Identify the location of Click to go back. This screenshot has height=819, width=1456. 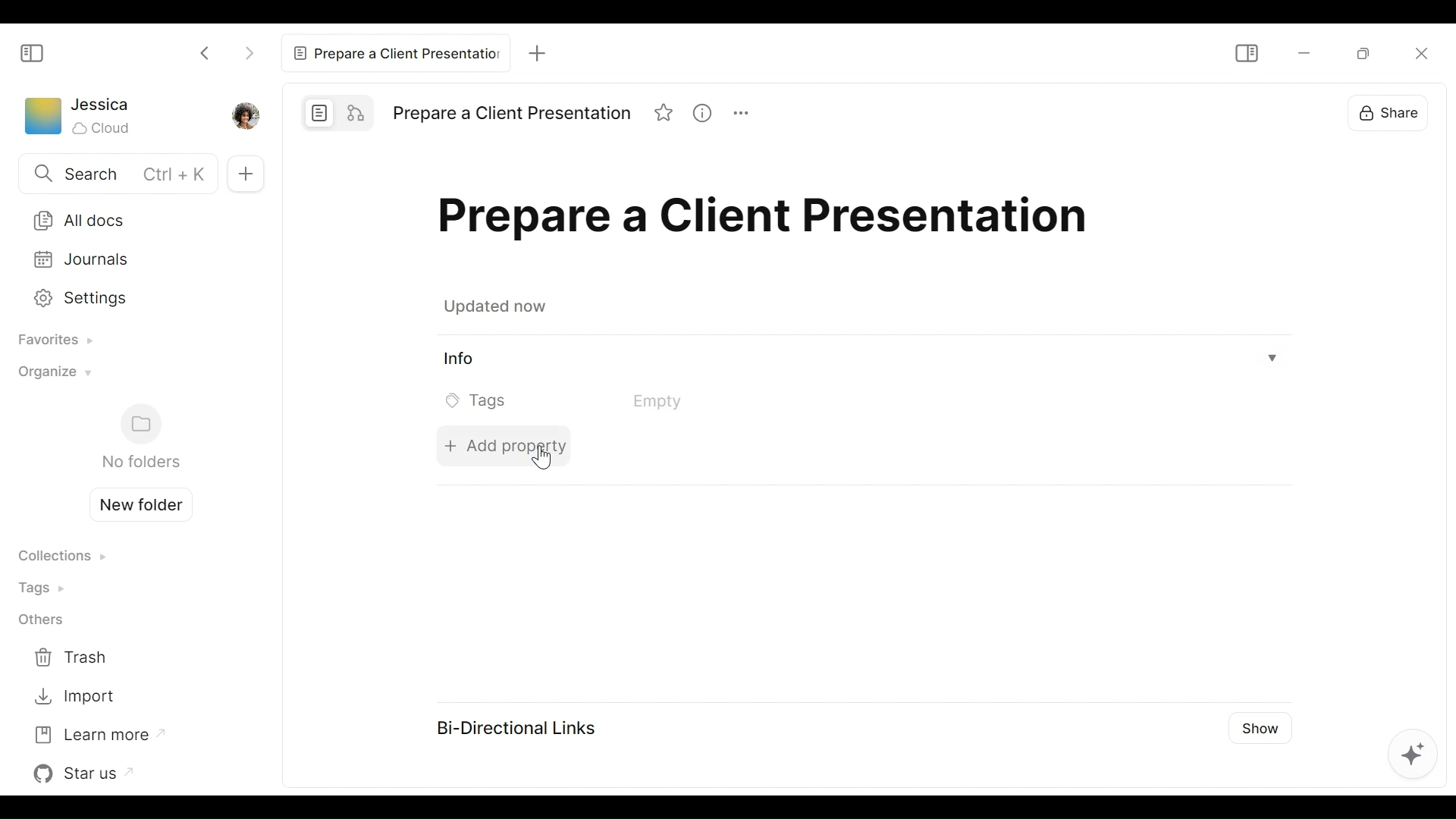
(206, 52).